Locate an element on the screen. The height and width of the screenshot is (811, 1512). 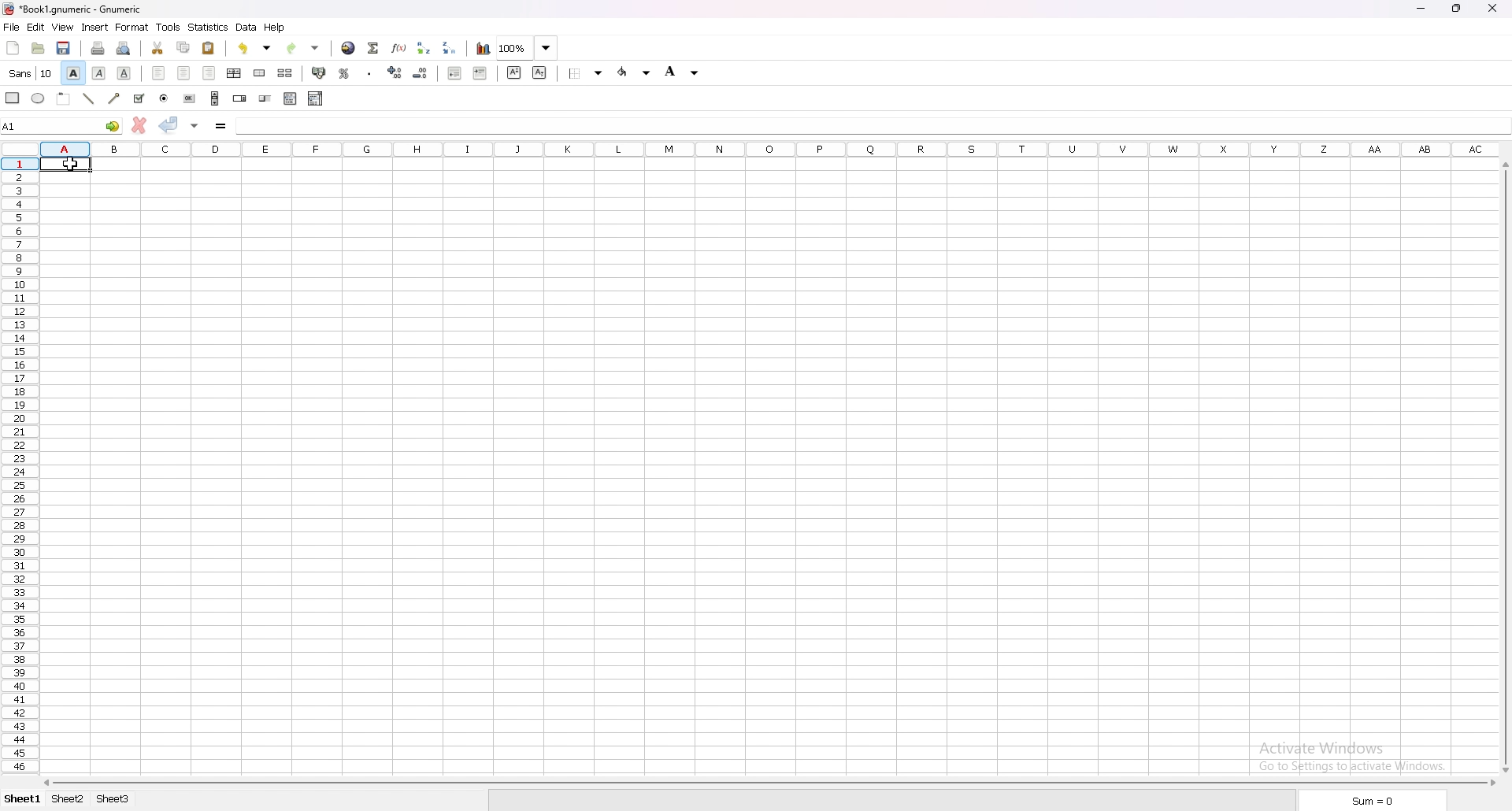
columns is located at coordinates (766, 150).